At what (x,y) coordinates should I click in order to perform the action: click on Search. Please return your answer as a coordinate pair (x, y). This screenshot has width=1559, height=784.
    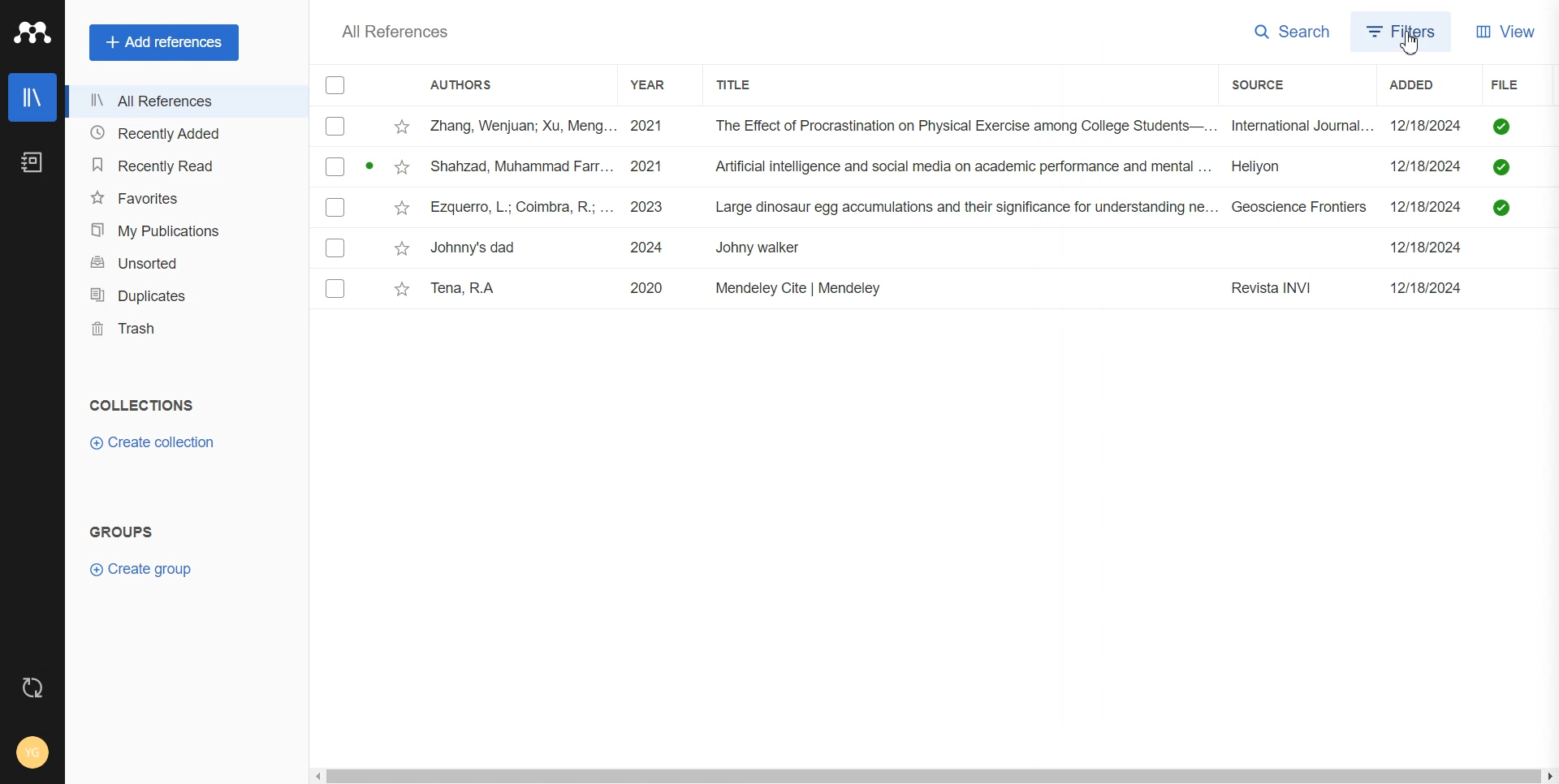
    Looking at the image, I should click on (1285, 32).